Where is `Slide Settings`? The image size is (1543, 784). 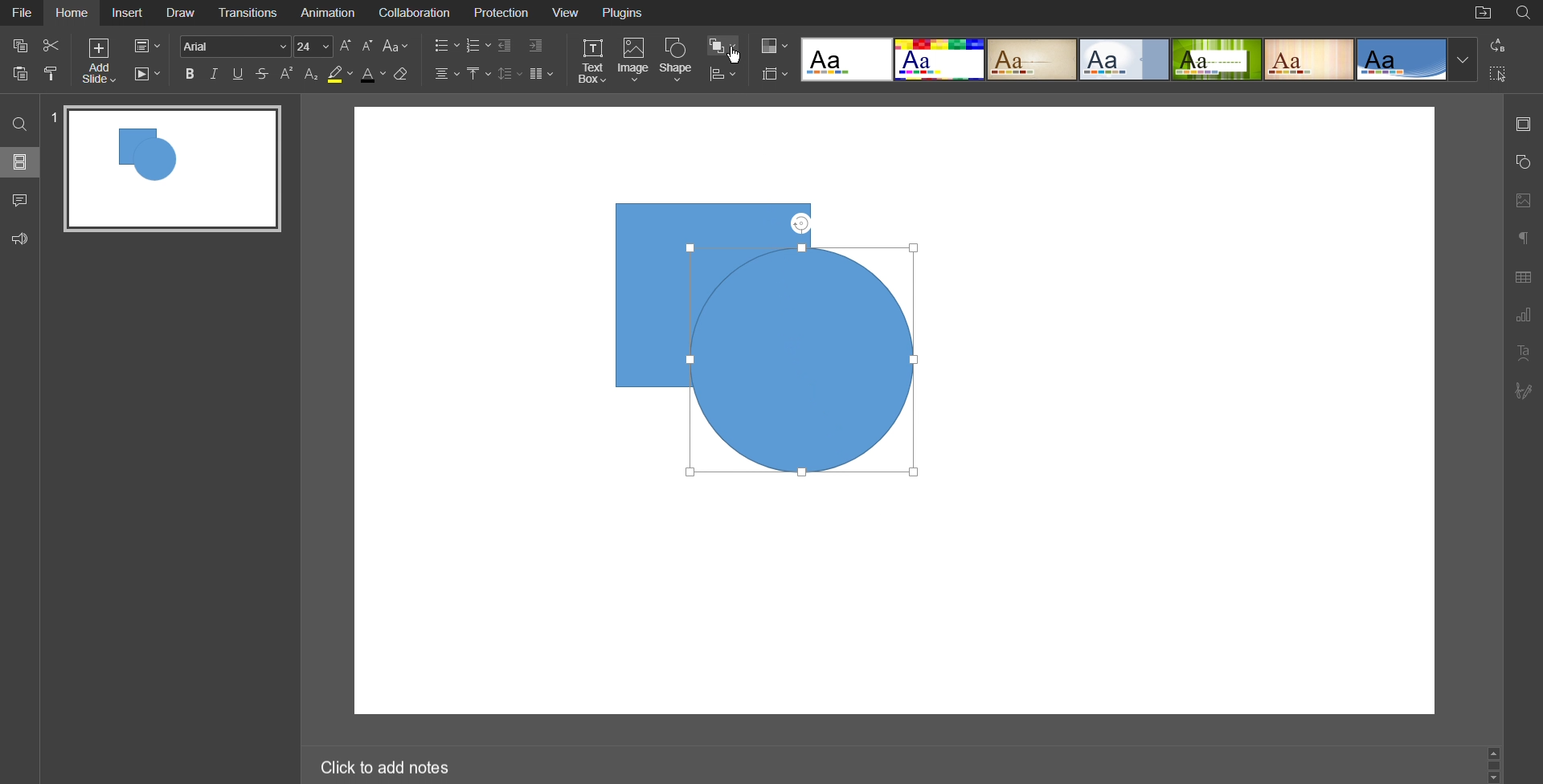
Slide Settings is located at coordinates (776, 73).